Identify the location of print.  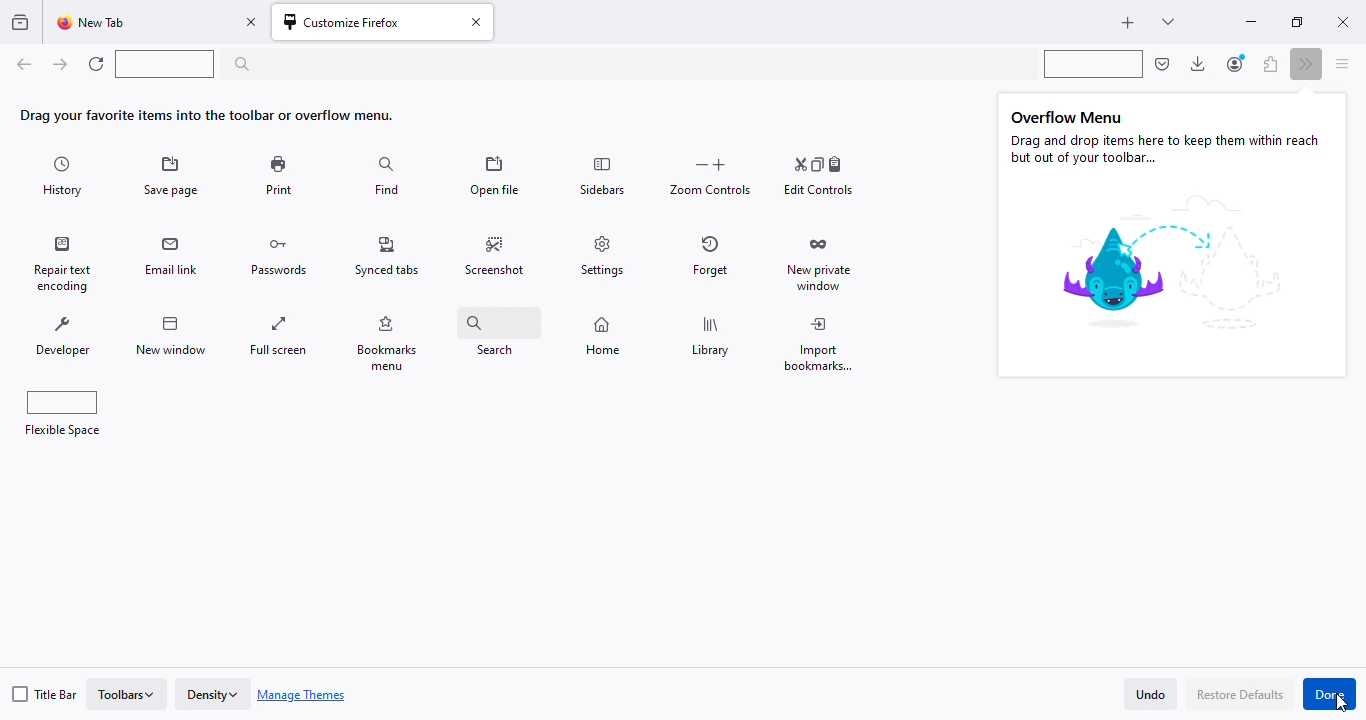
(277, 176).